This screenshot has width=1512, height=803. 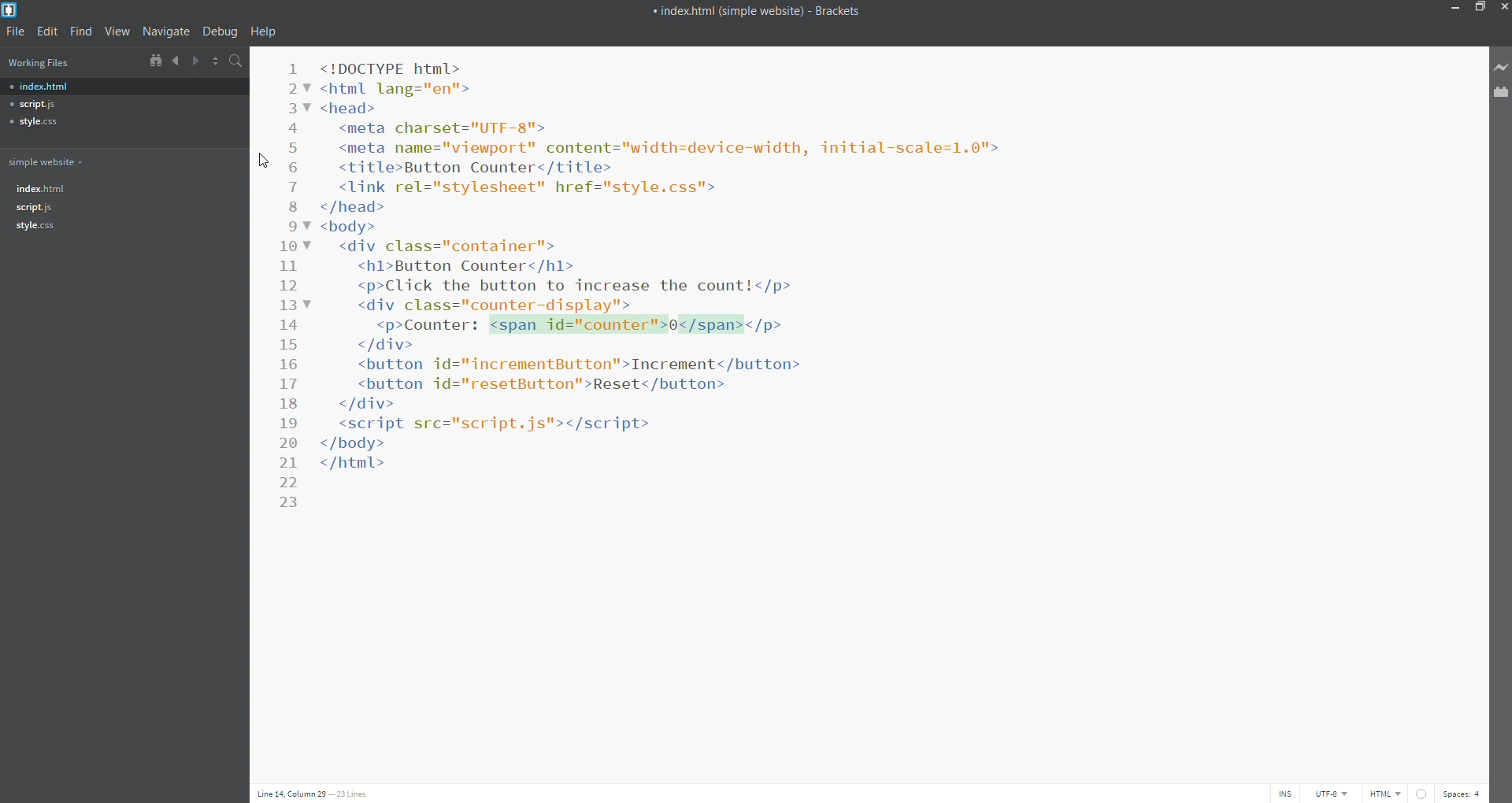 What do you see at coordinates (222, 31) in the screenshot?
I see `debug` at bounding box center [222, 31].